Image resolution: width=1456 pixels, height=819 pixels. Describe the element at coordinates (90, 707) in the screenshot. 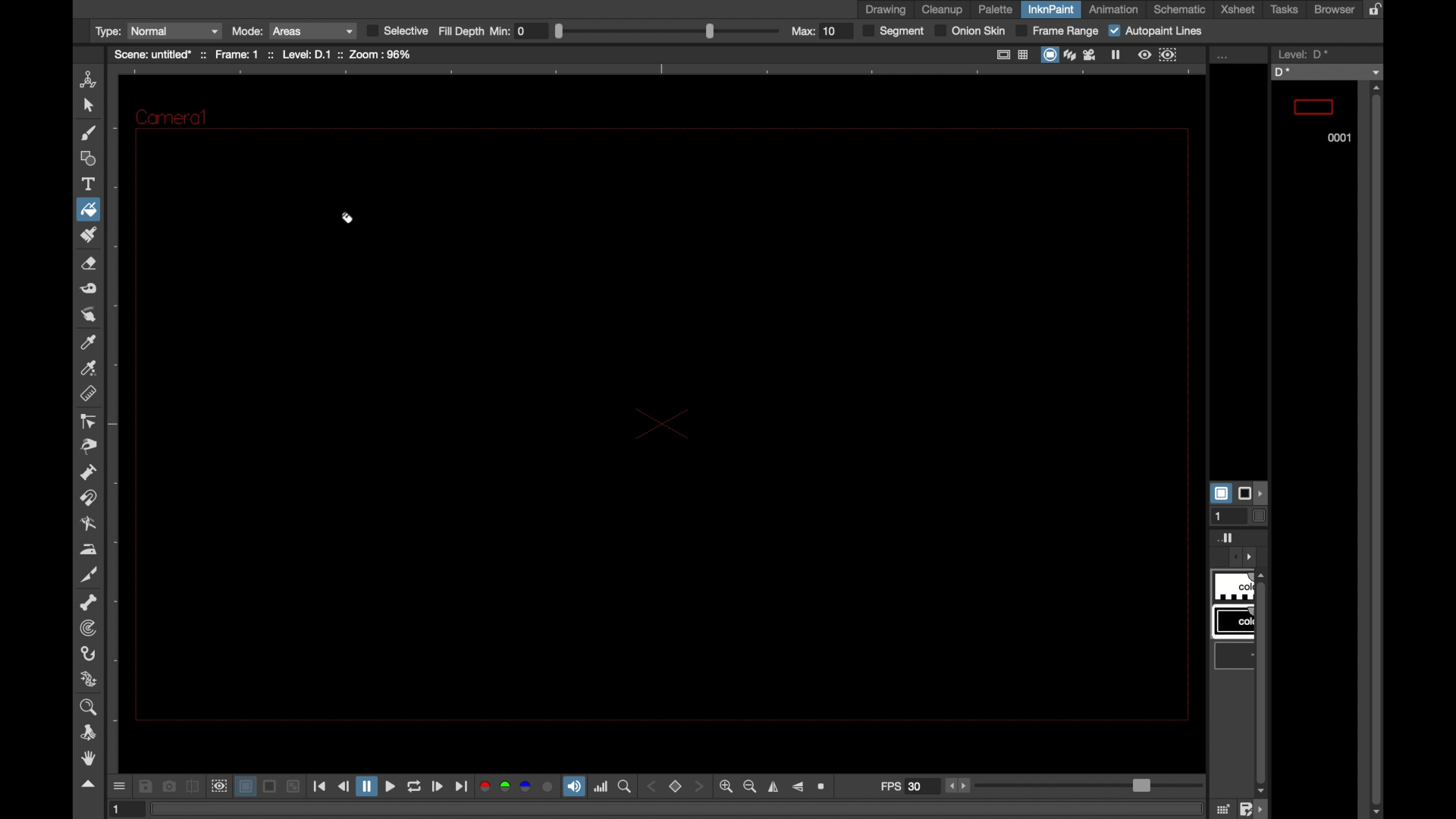

I see `zoom` at that location.